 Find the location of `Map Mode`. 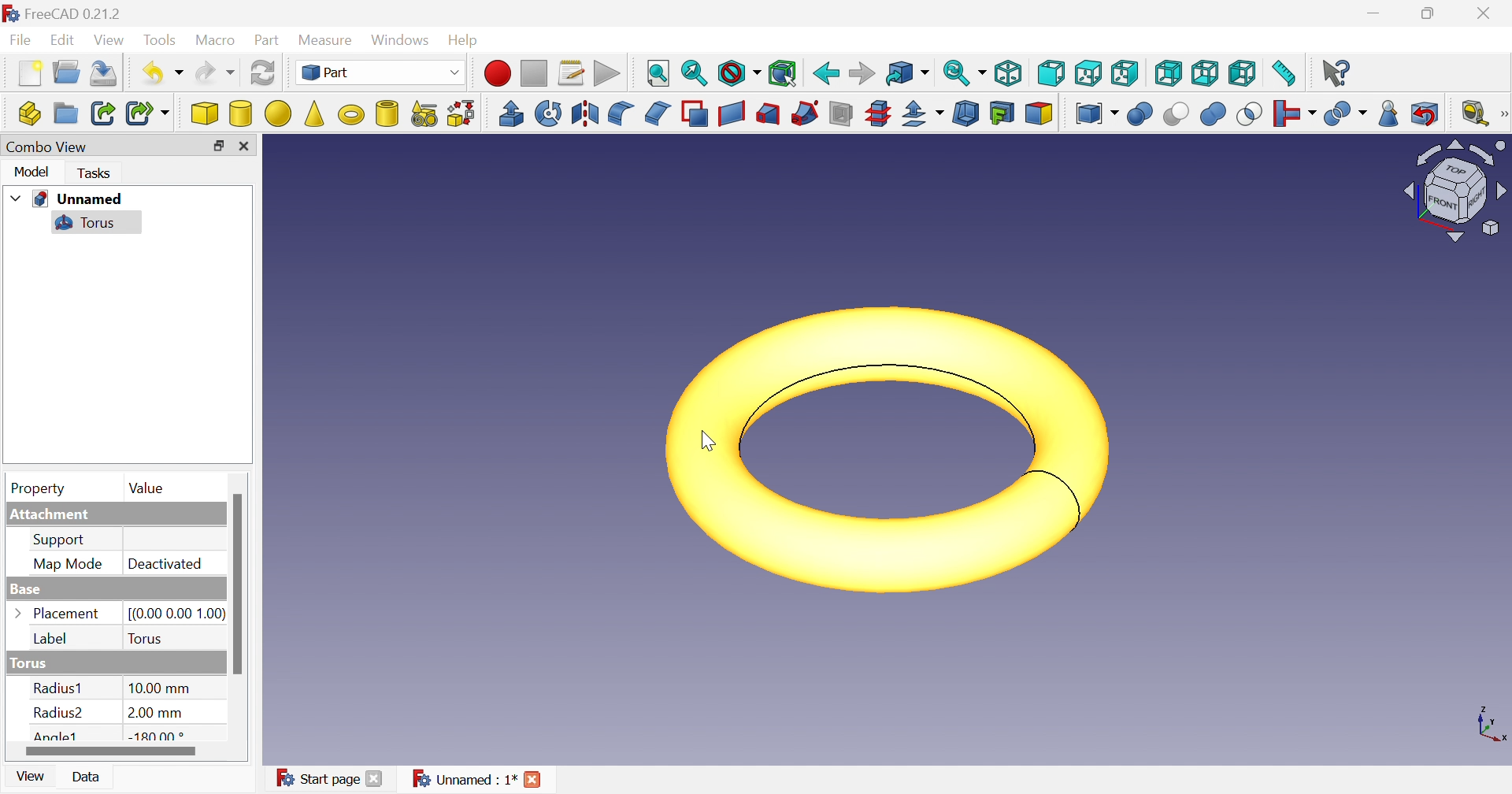

Map Mode is located at coordinates (65, 566).